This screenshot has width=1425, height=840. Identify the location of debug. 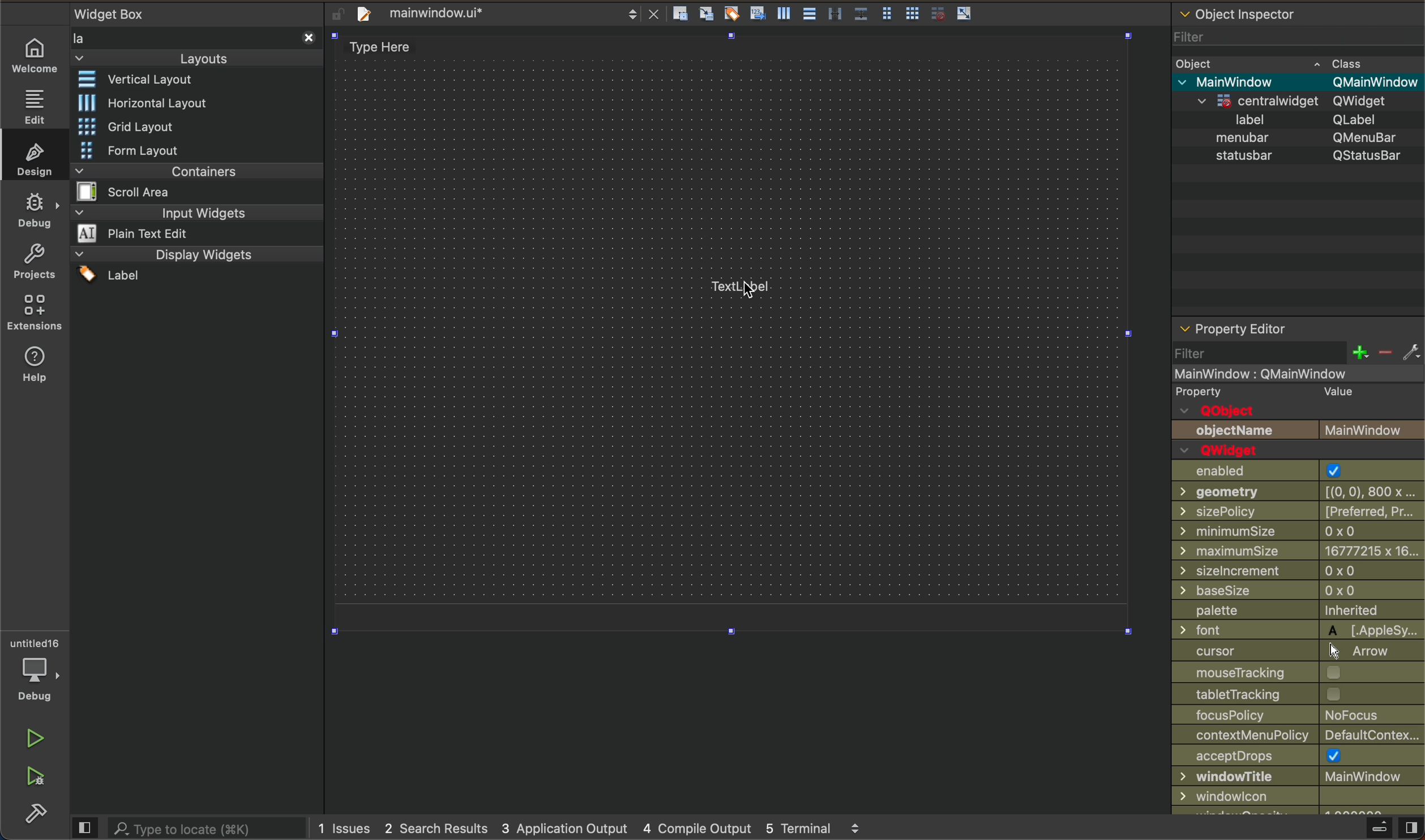
(38, 213).